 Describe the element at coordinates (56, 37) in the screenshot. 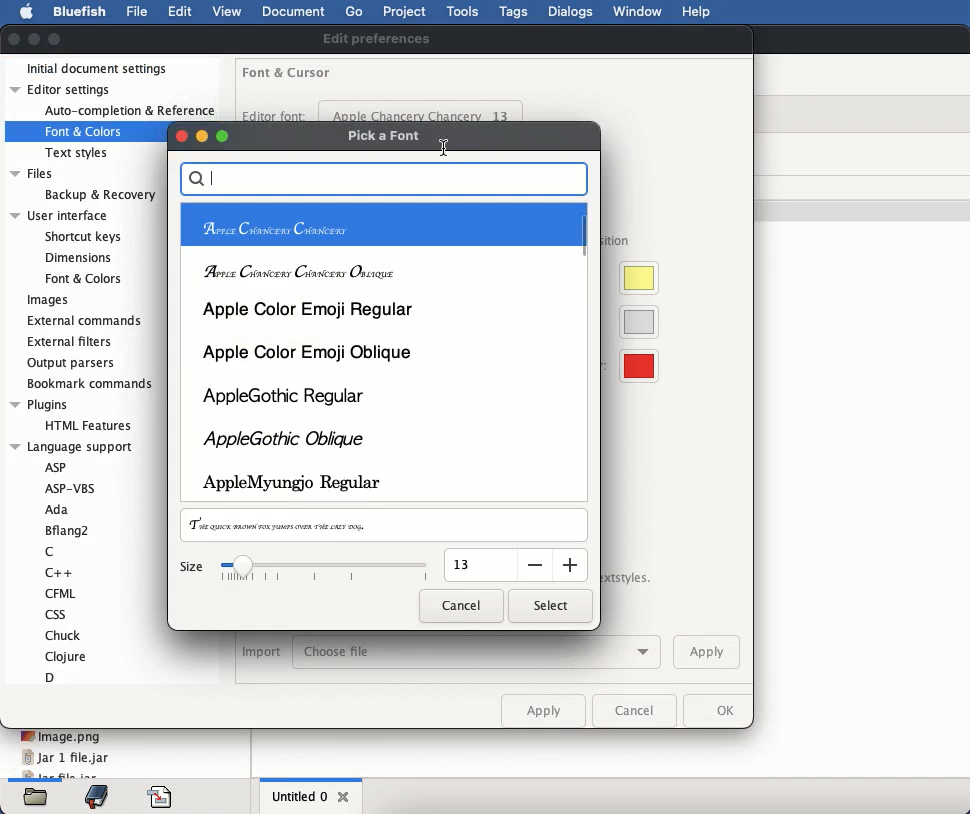

I see `maximize` at that location.